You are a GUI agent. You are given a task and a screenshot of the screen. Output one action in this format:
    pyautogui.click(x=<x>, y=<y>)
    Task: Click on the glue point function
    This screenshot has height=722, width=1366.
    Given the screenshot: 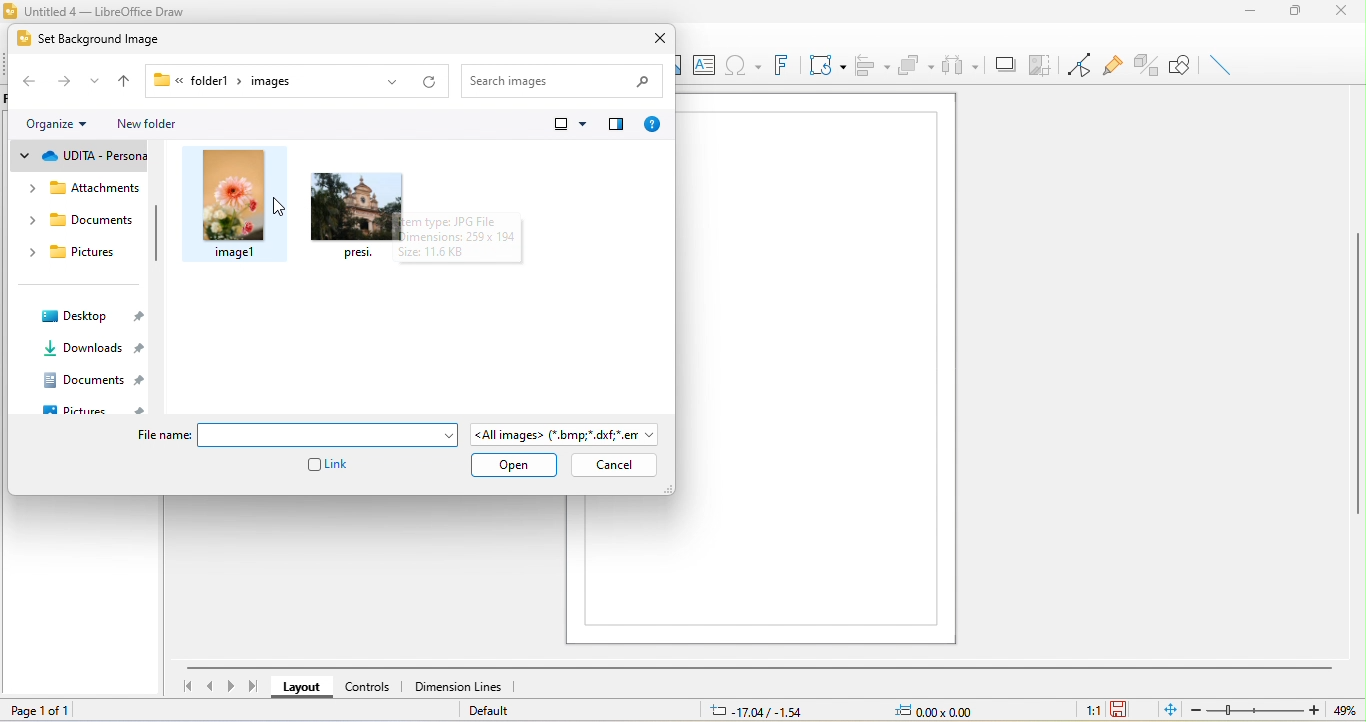 What is the action you would take?
    pyautogui.click(x=1113, y=62)
    